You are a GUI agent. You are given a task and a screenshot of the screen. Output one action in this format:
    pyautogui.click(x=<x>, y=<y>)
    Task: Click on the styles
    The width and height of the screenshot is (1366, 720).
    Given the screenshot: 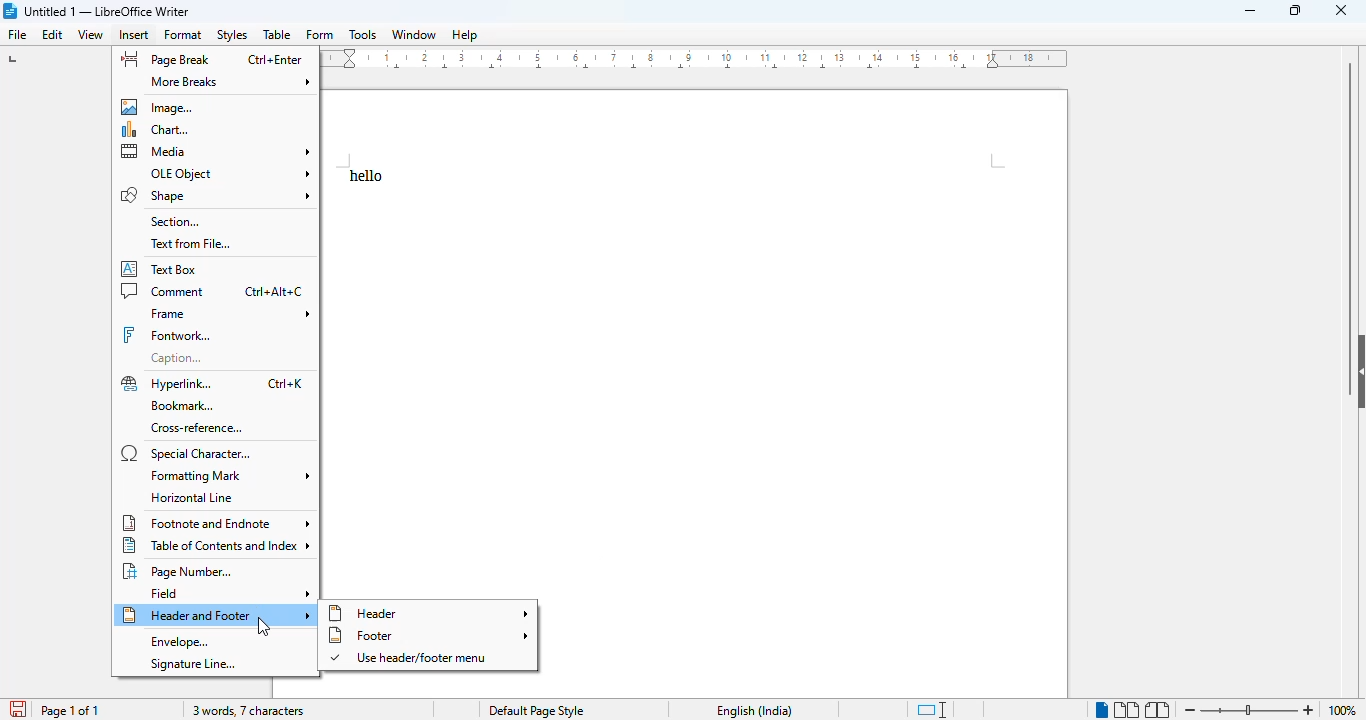 What is the action you would take?
    pyautogui.click(x=233, y=35)
    